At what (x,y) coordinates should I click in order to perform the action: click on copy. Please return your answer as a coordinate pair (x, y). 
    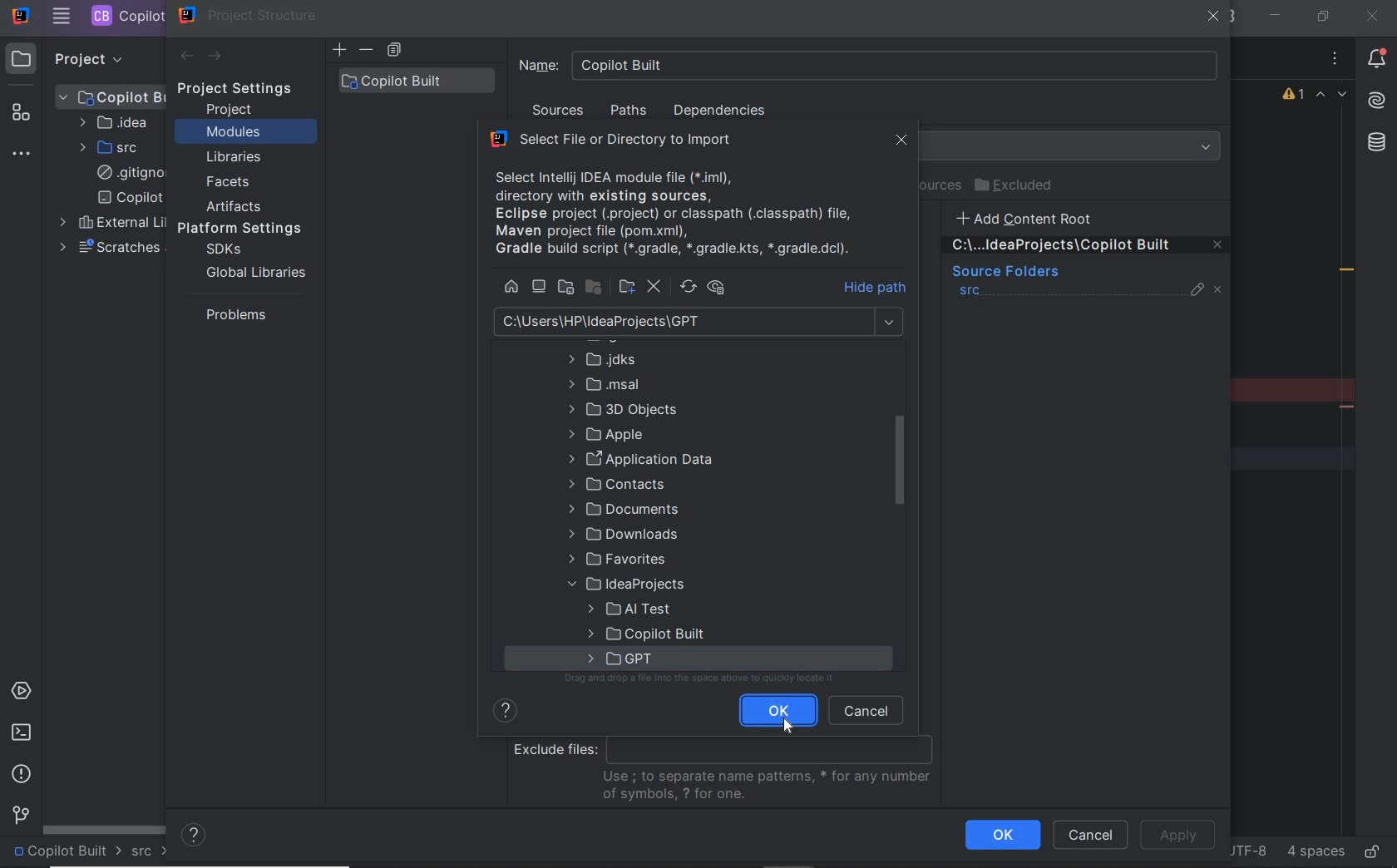
    Looking at the image, I should click on (394, 51).